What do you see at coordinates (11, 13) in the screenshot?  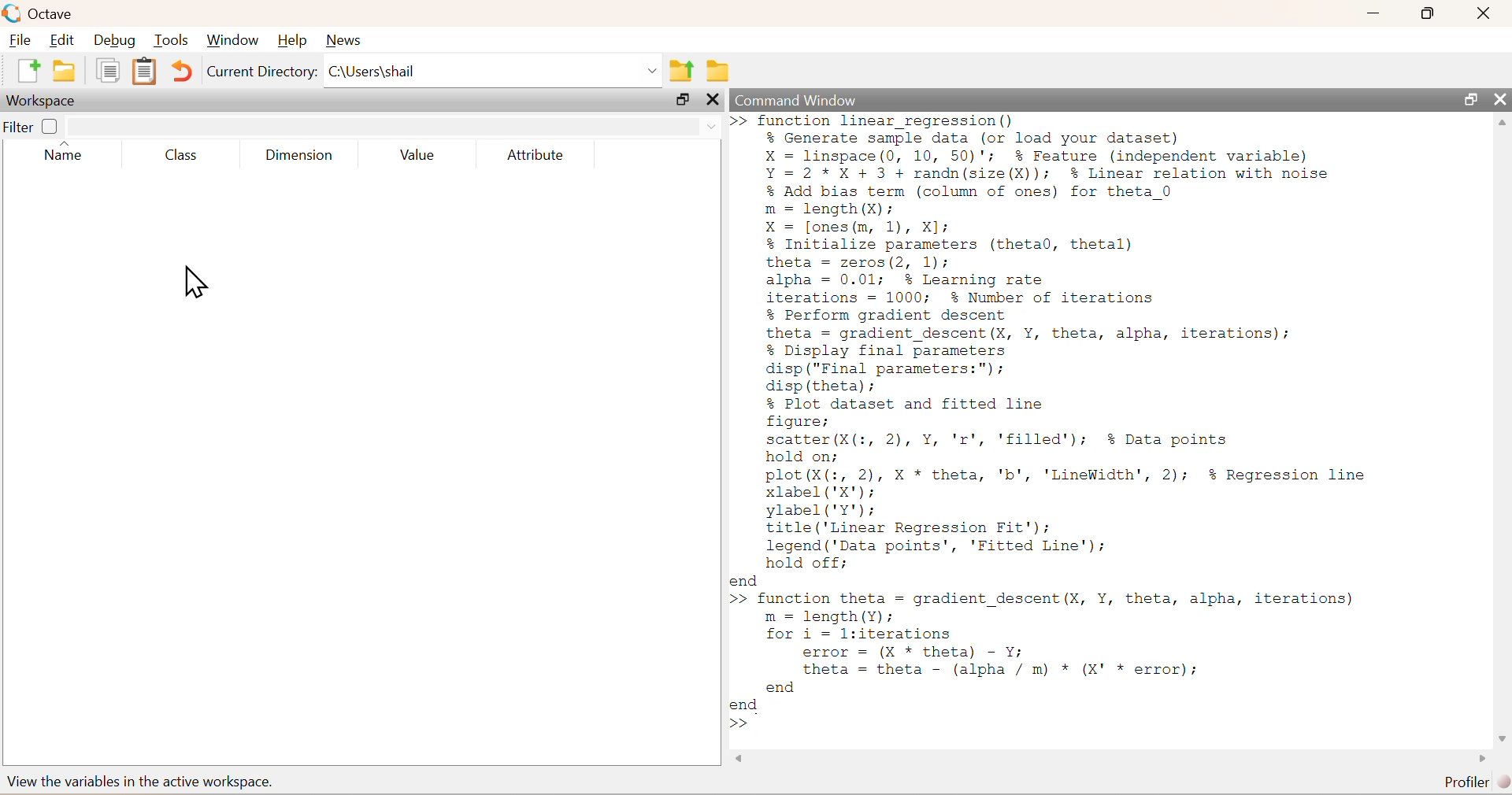 I see `logo` at bounding box center [11, 13].